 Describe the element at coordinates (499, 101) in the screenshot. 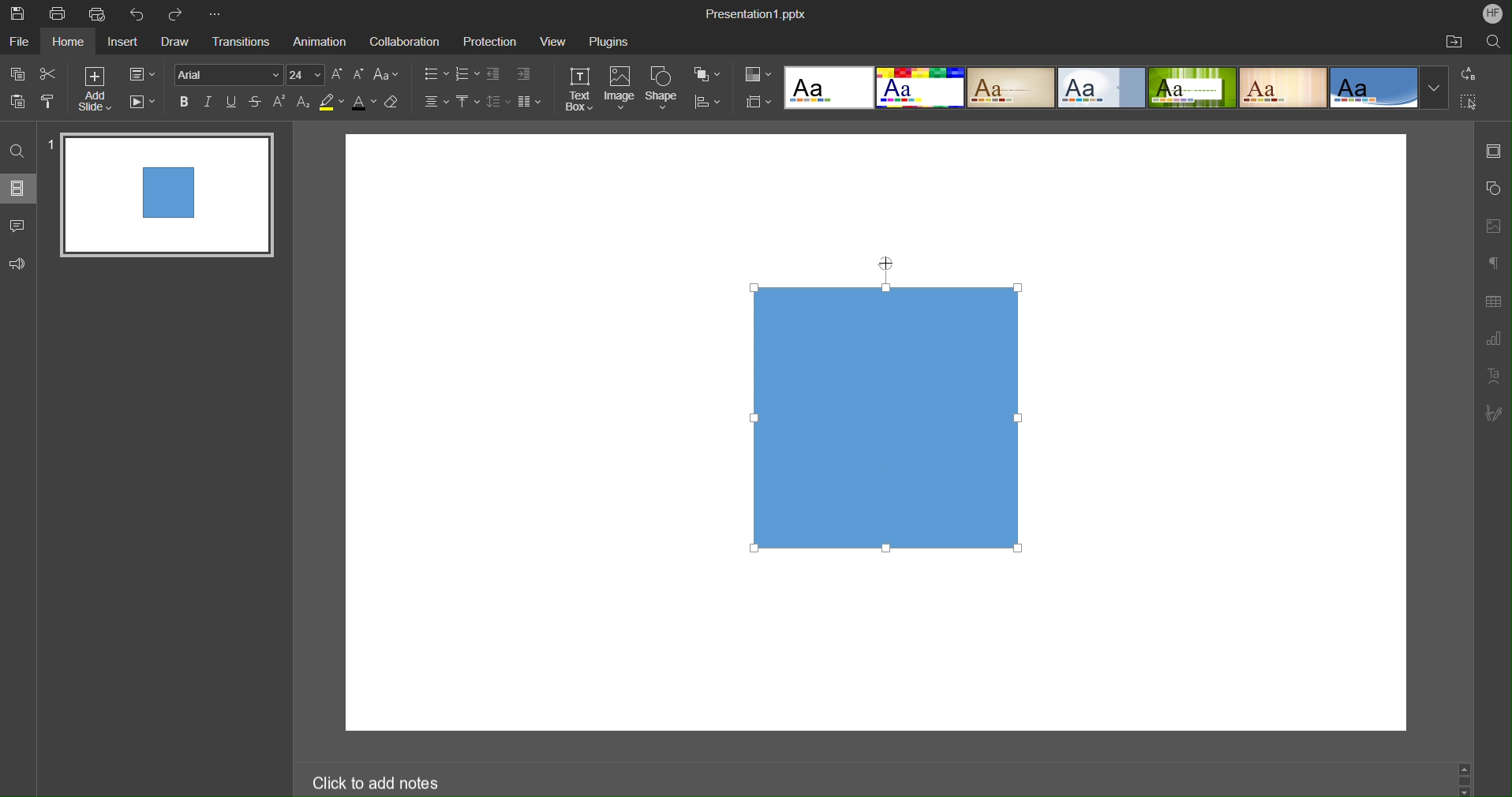

I see `Line Spacing` at that location.